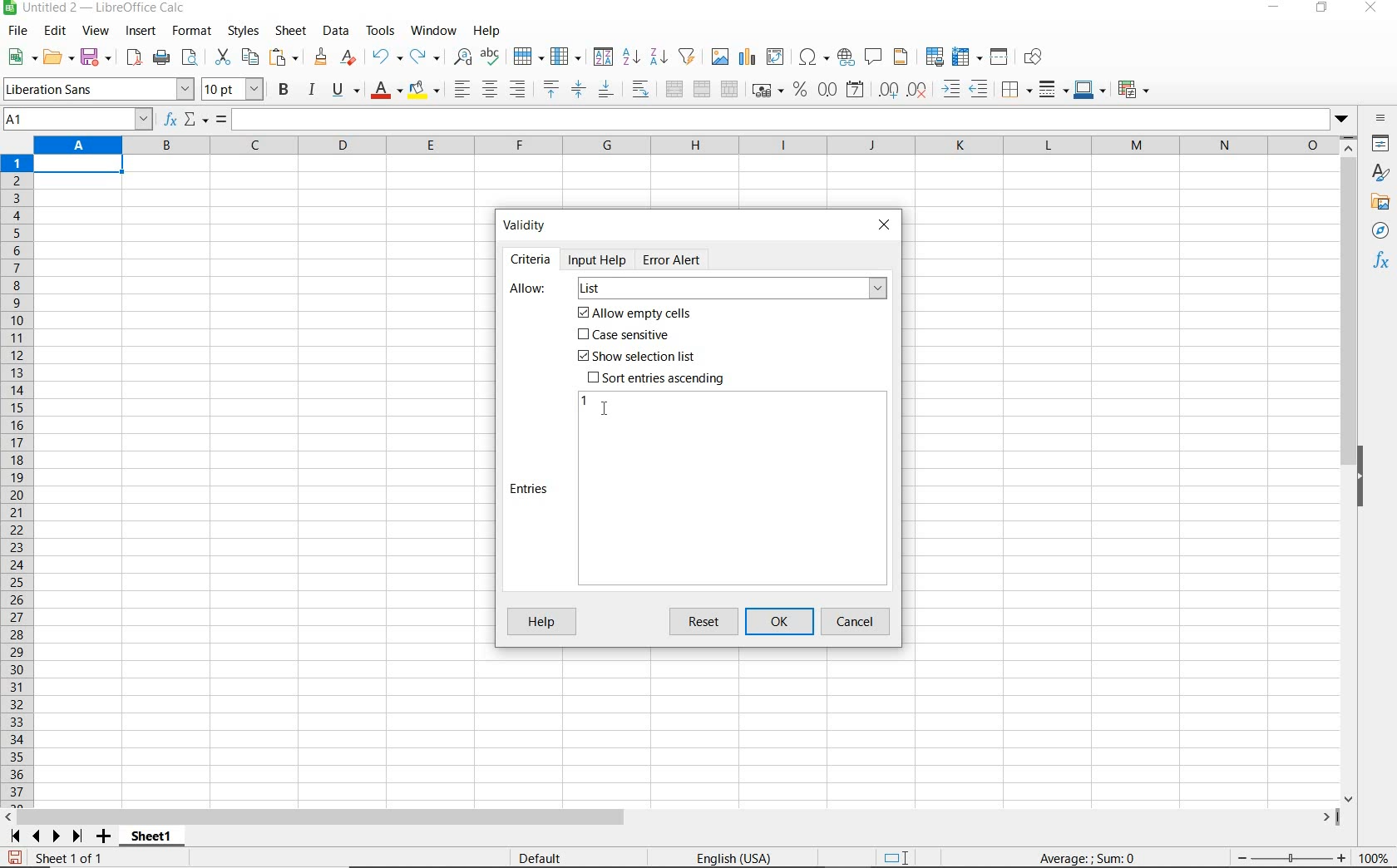 This screenshot has width=1397, height=868. I want to click on Show selection list, so click(634, 357).